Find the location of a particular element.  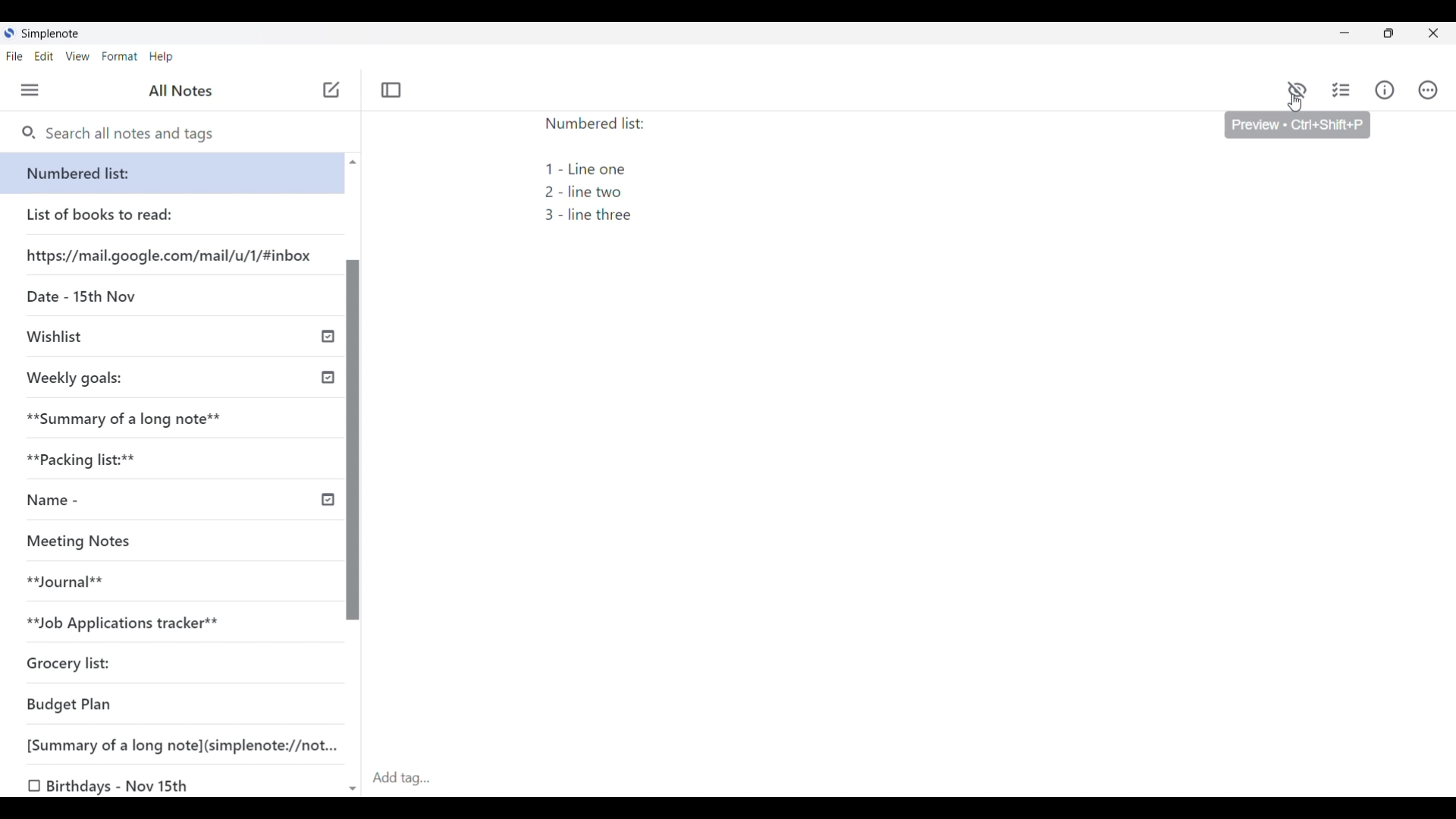

Simplenote logo is located at coordinates (9, 33).